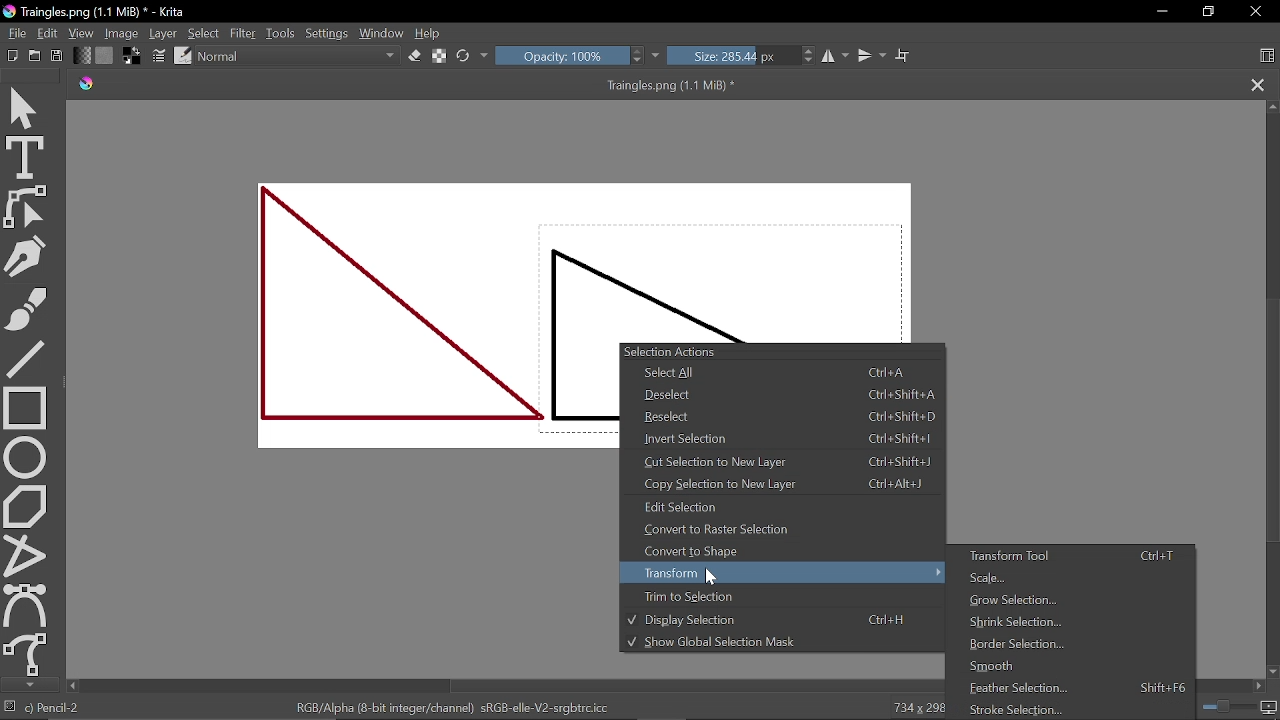  Describe the element at coordinates (1061, 668) in the screenshot. I see `Smooth` at that location.